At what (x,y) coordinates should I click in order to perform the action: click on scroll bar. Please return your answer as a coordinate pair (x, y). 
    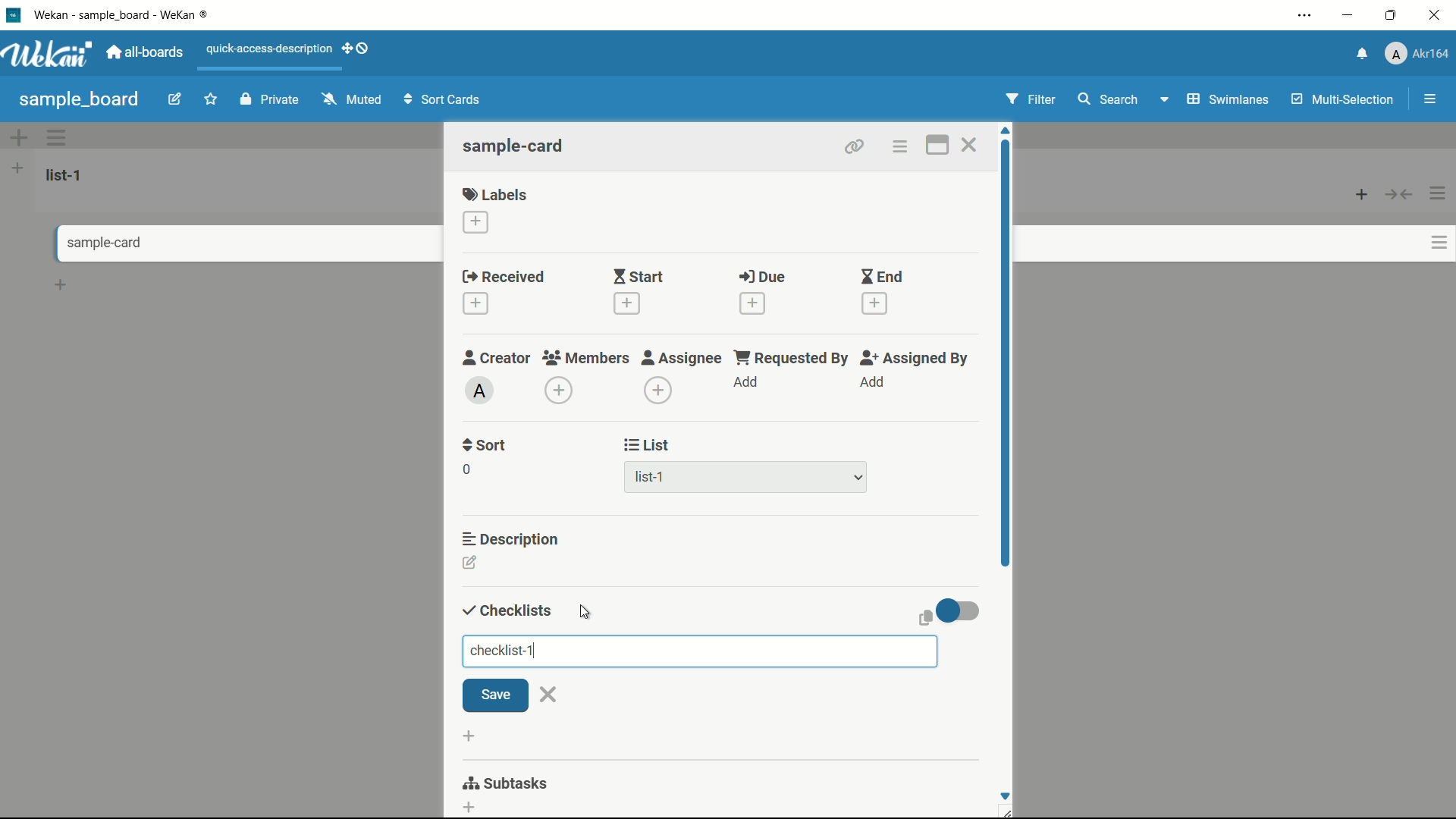
    Looking at the image, I should click on (1007, 378).